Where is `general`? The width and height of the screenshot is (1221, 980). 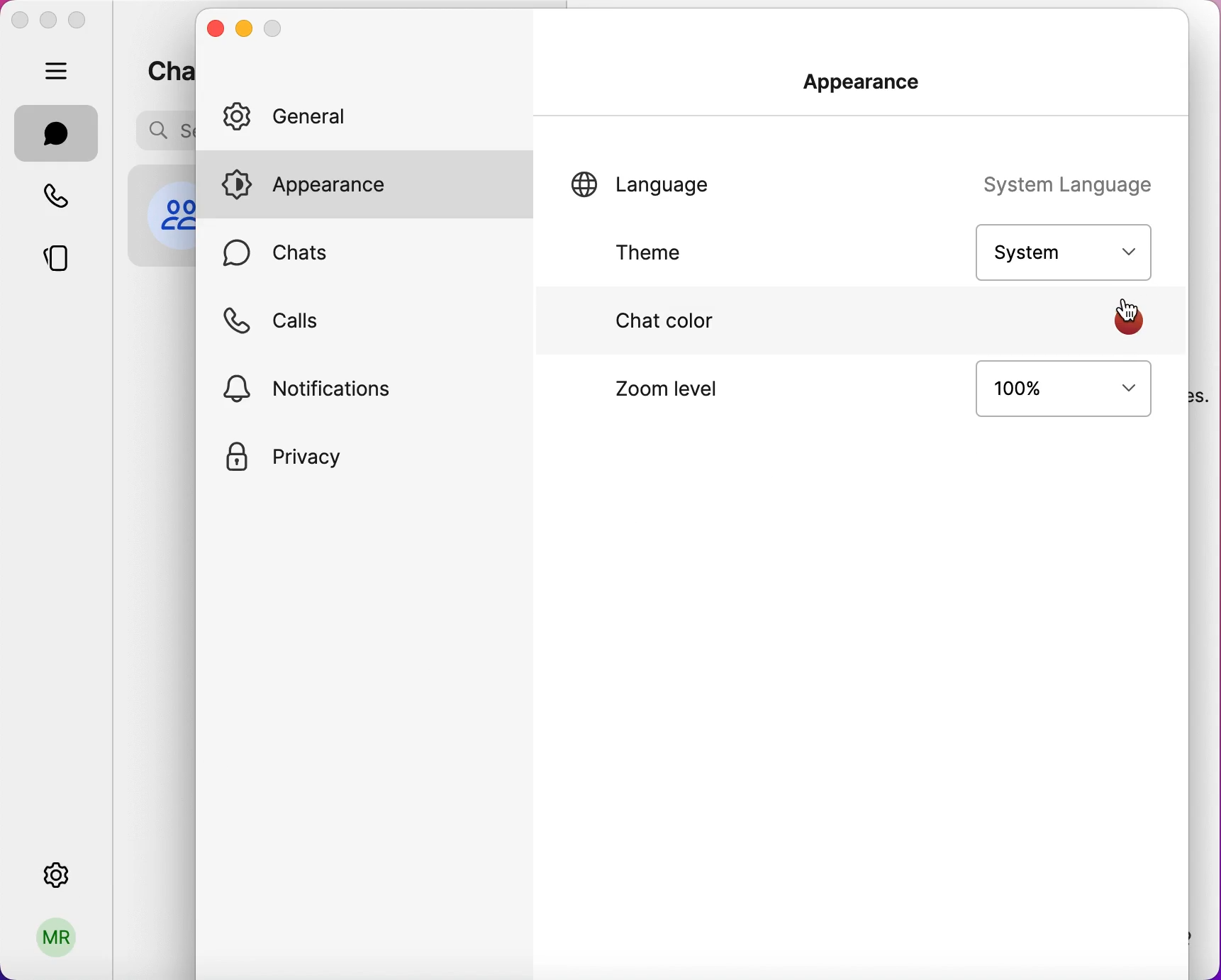
general is located at coordinates (323, 116).